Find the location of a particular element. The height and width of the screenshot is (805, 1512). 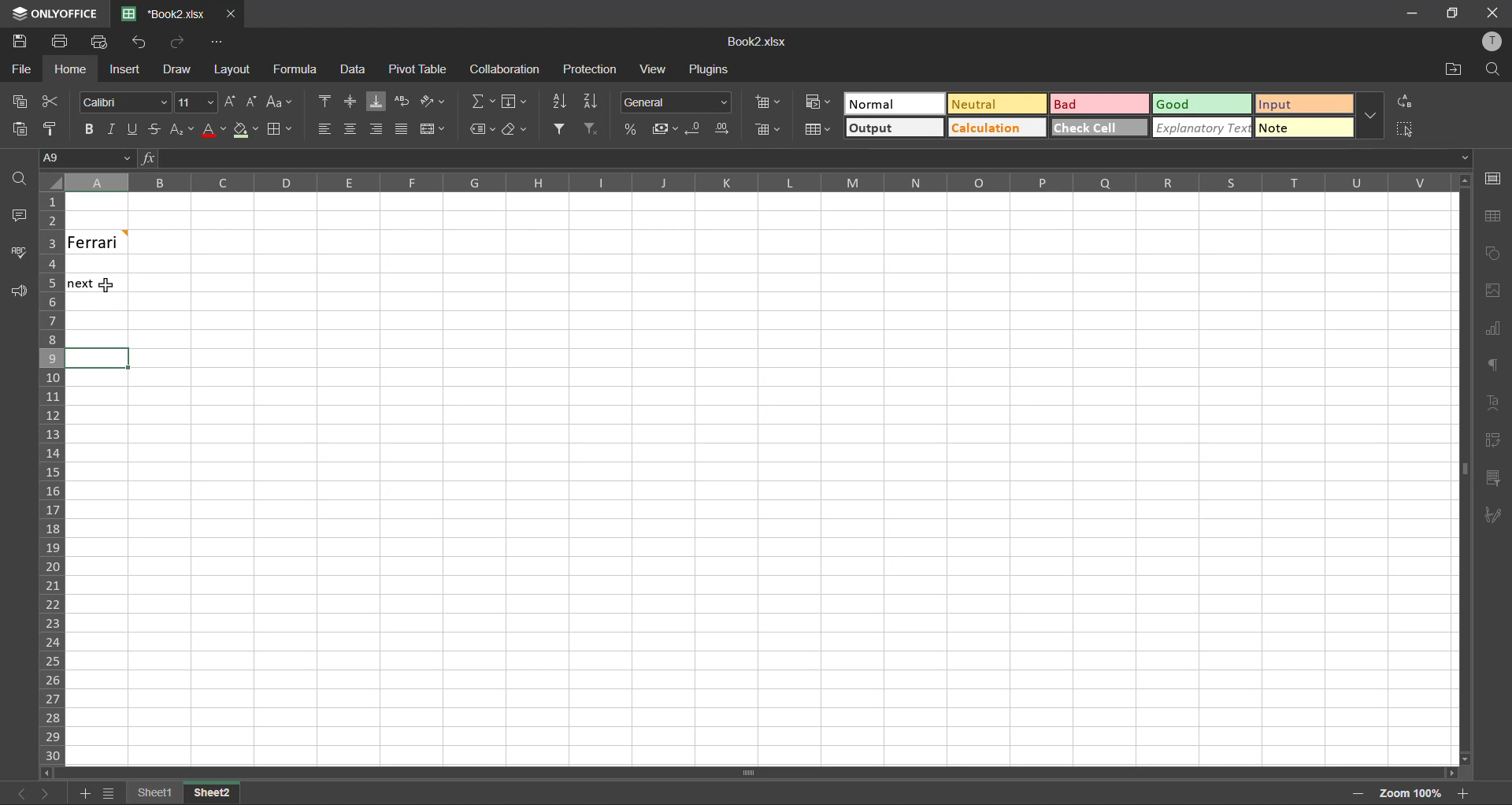

collaboration is located at coordinates (506, 69).